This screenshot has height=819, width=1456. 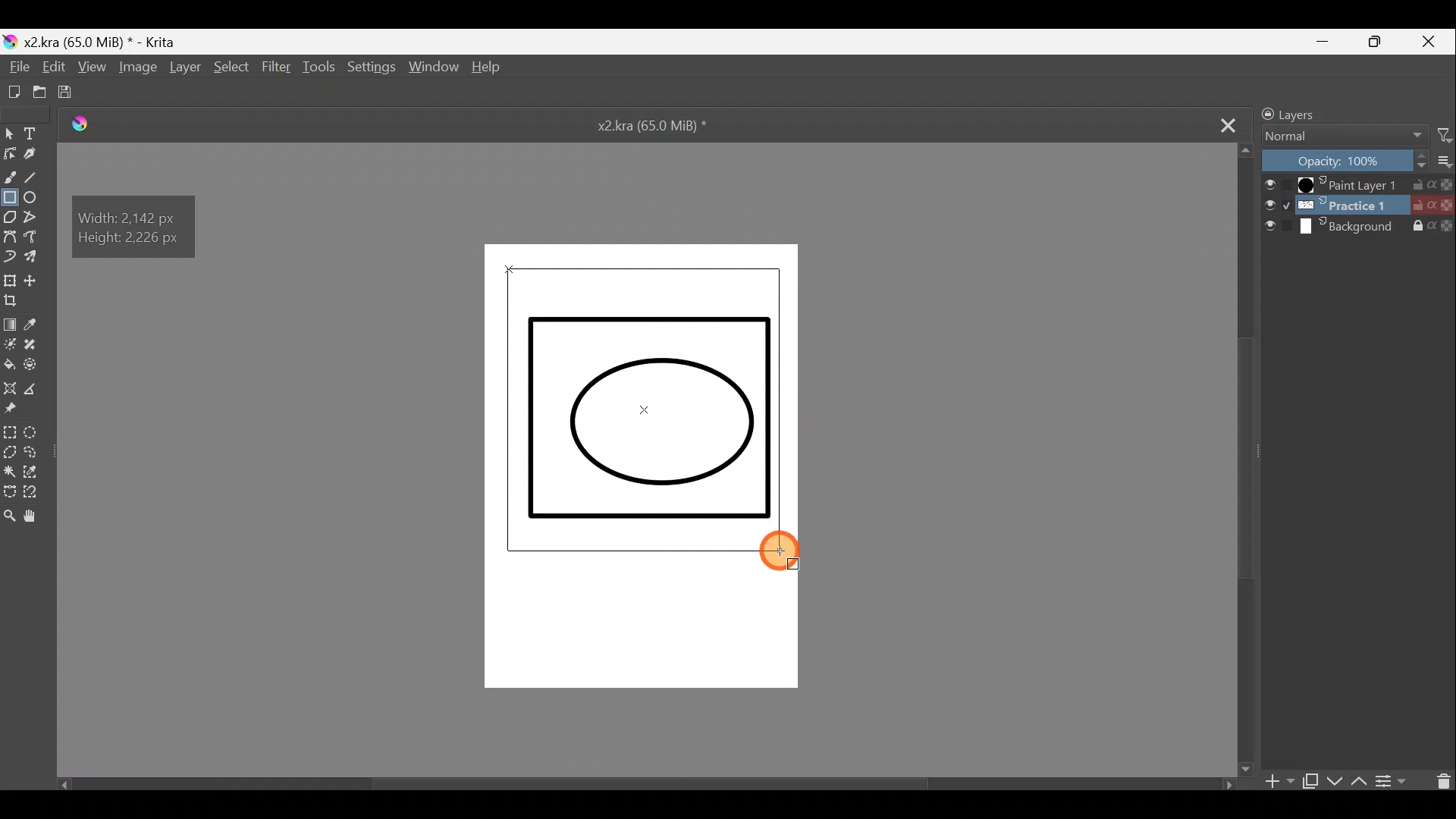 What do you see at coordinates (9, 513) in the screenshot?
I see `Zoom tool` at bounding box center [9, 513].